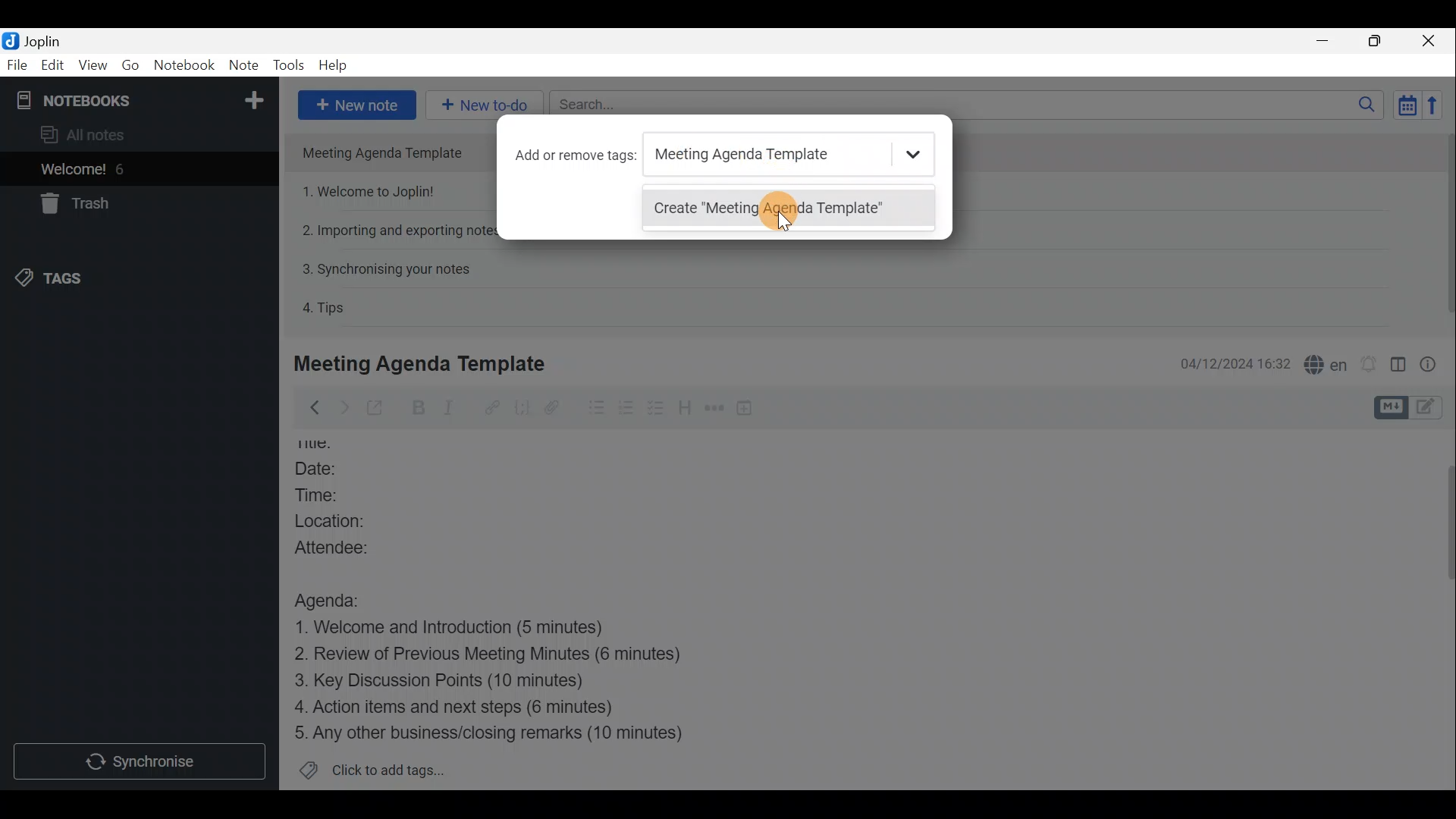 This screenshot has width=1456, height=819. I want to click on Meeting Agenda Template, so click(790, 159).